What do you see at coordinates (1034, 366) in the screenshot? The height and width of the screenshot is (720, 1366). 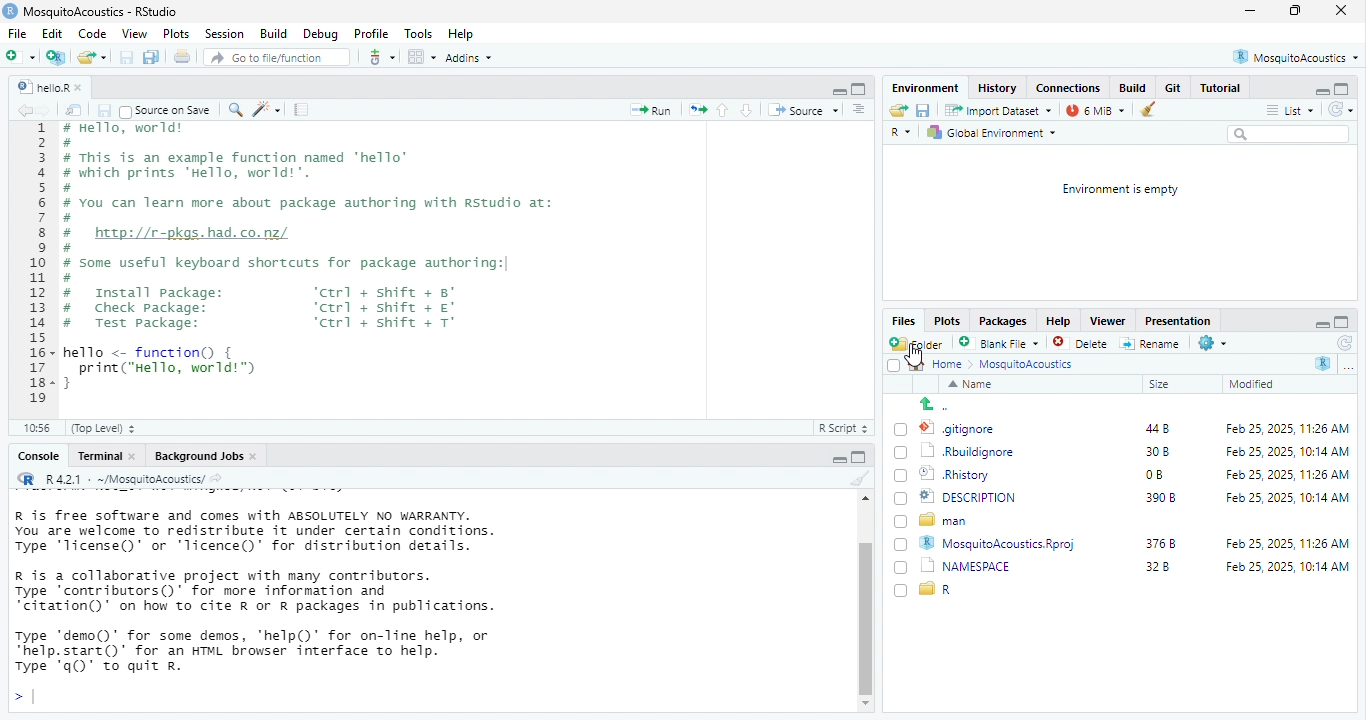 I see `  MosguitoAcoustics` at bounding box center [1034, 366].